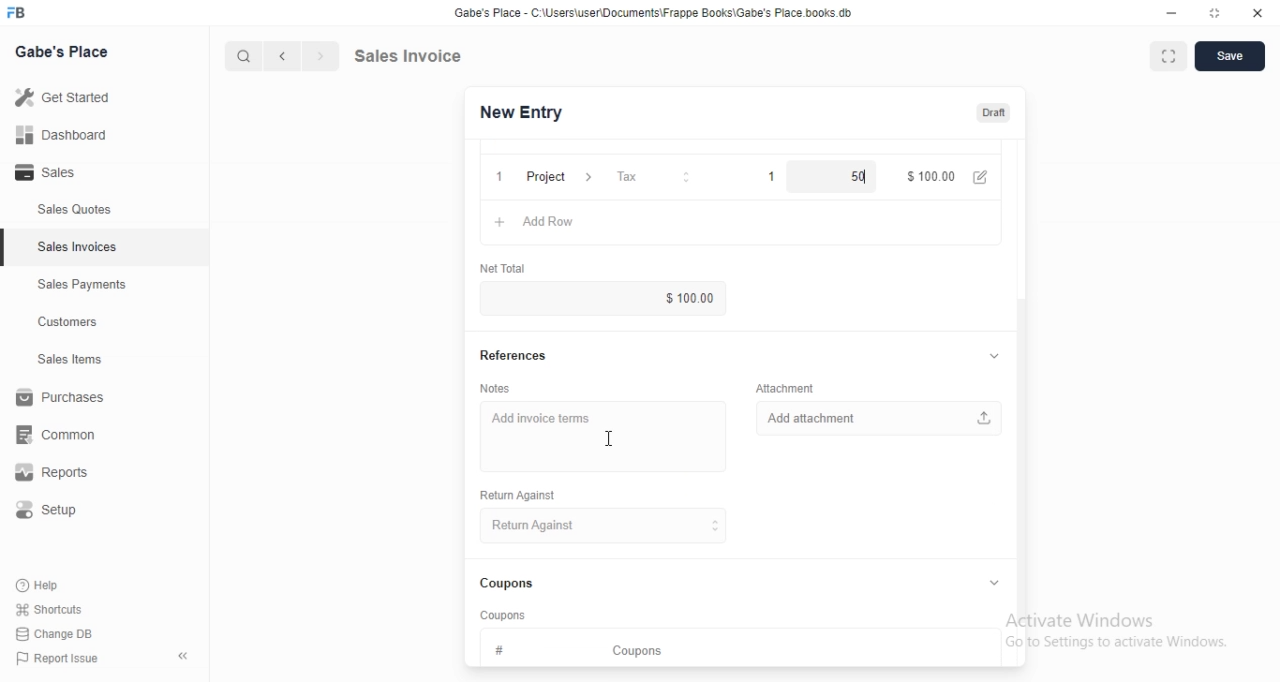 The height and width of the screenshot is (682, 1280). Describe the element at coordinates (557, 175) in the screenshot. I see `Project` at that location.